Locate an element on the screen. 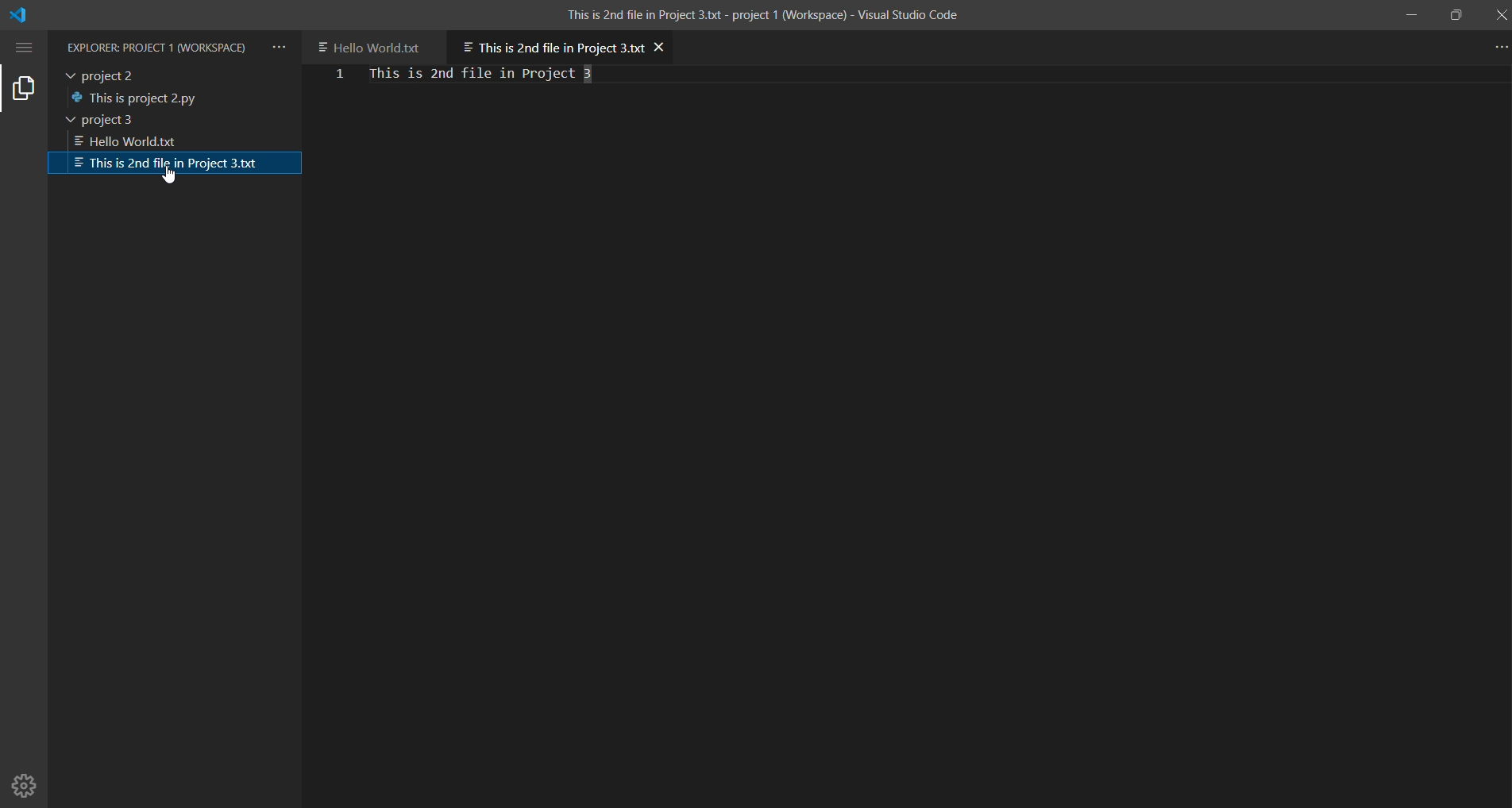  This is 2nd file in Project 3.txt - project 1 (Workspace) - Visual Studio Code is located at coordinates (773, 14).